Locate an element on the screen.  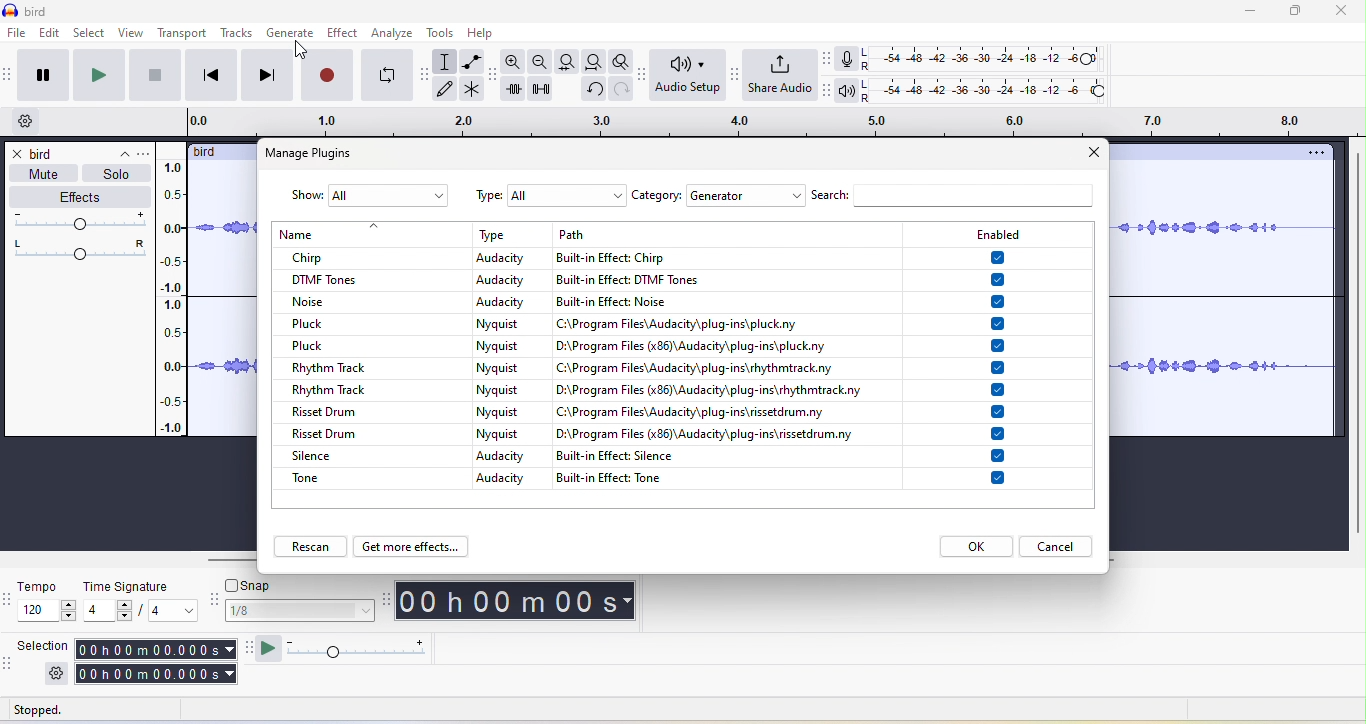
type is located at coordinates (487, 194).